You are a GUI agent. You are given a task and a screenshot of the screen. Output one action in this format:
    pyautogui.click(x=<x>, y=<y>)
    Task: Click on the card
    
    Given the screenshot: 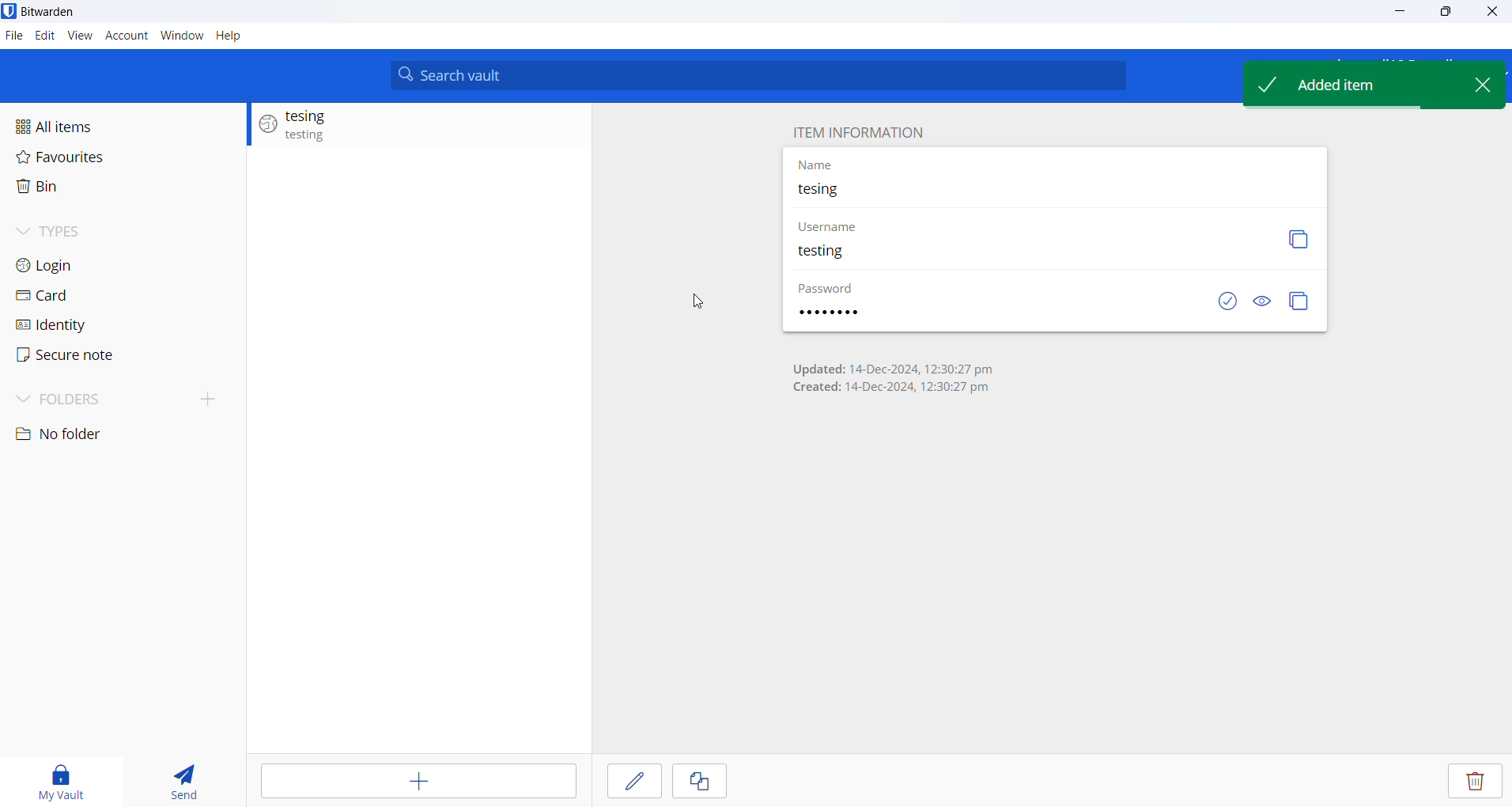 What is the action you would take?
    pyautogui.click(x=89, y=296)
    